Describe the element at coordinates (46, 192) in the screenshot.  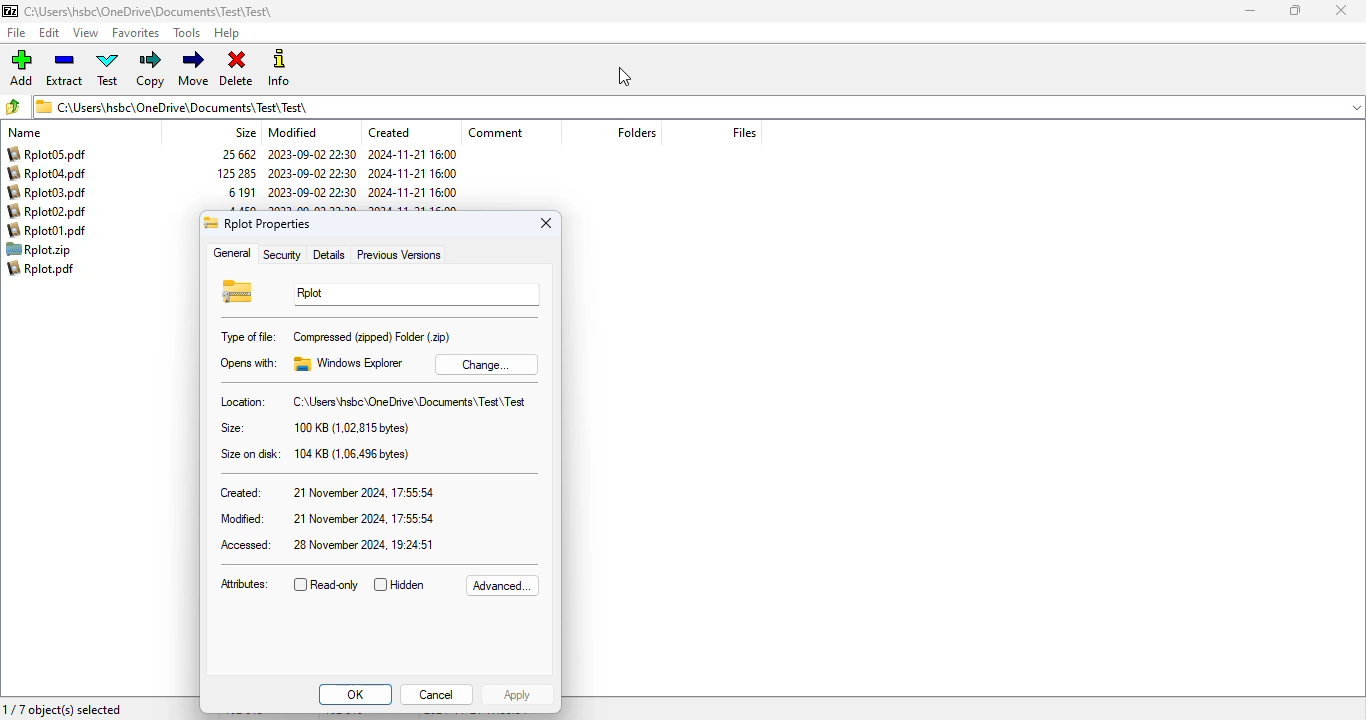
I see `file name` at that location.